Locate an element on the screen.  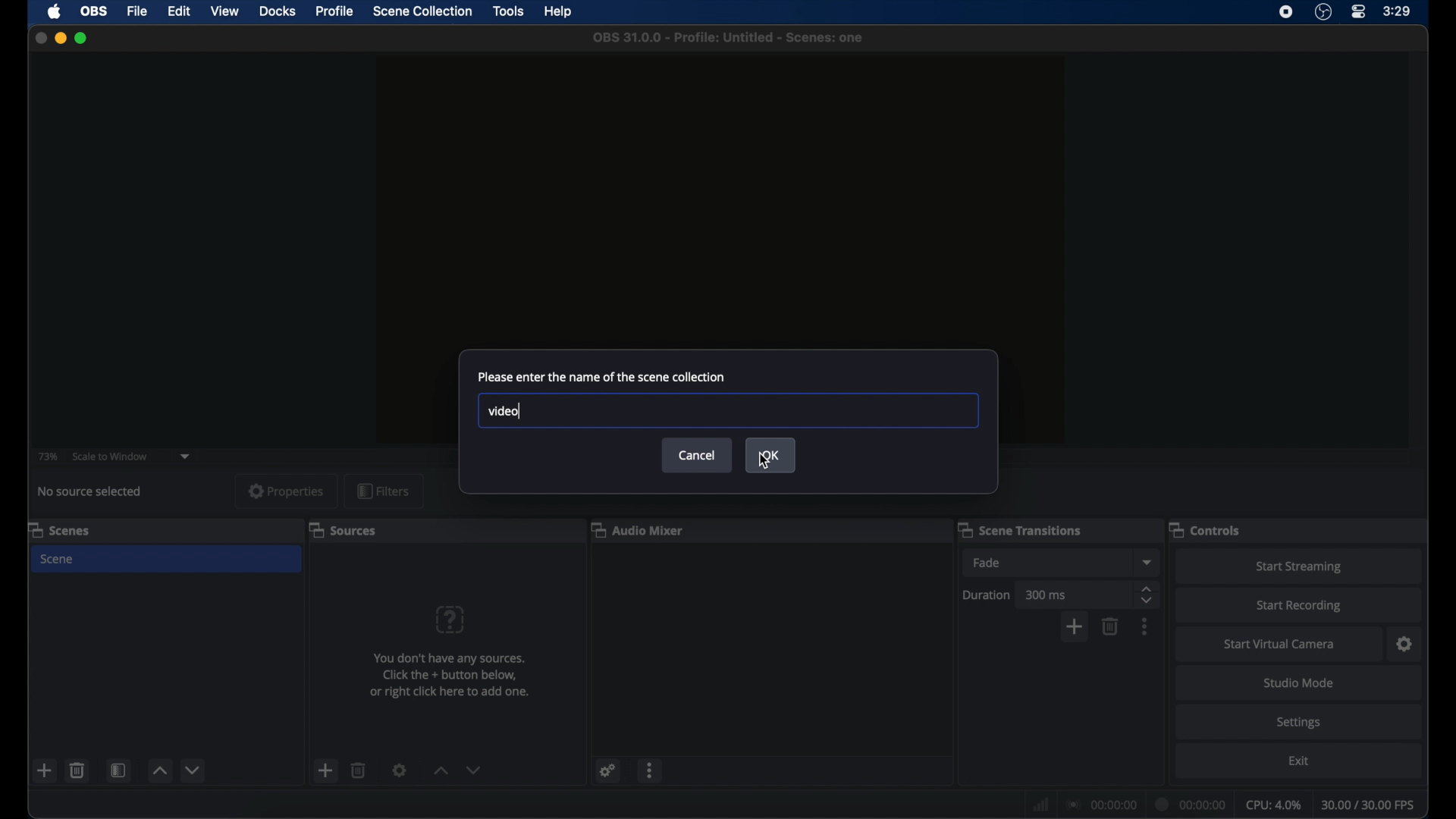
dropdown menu is located at coordinates (1147, 562).